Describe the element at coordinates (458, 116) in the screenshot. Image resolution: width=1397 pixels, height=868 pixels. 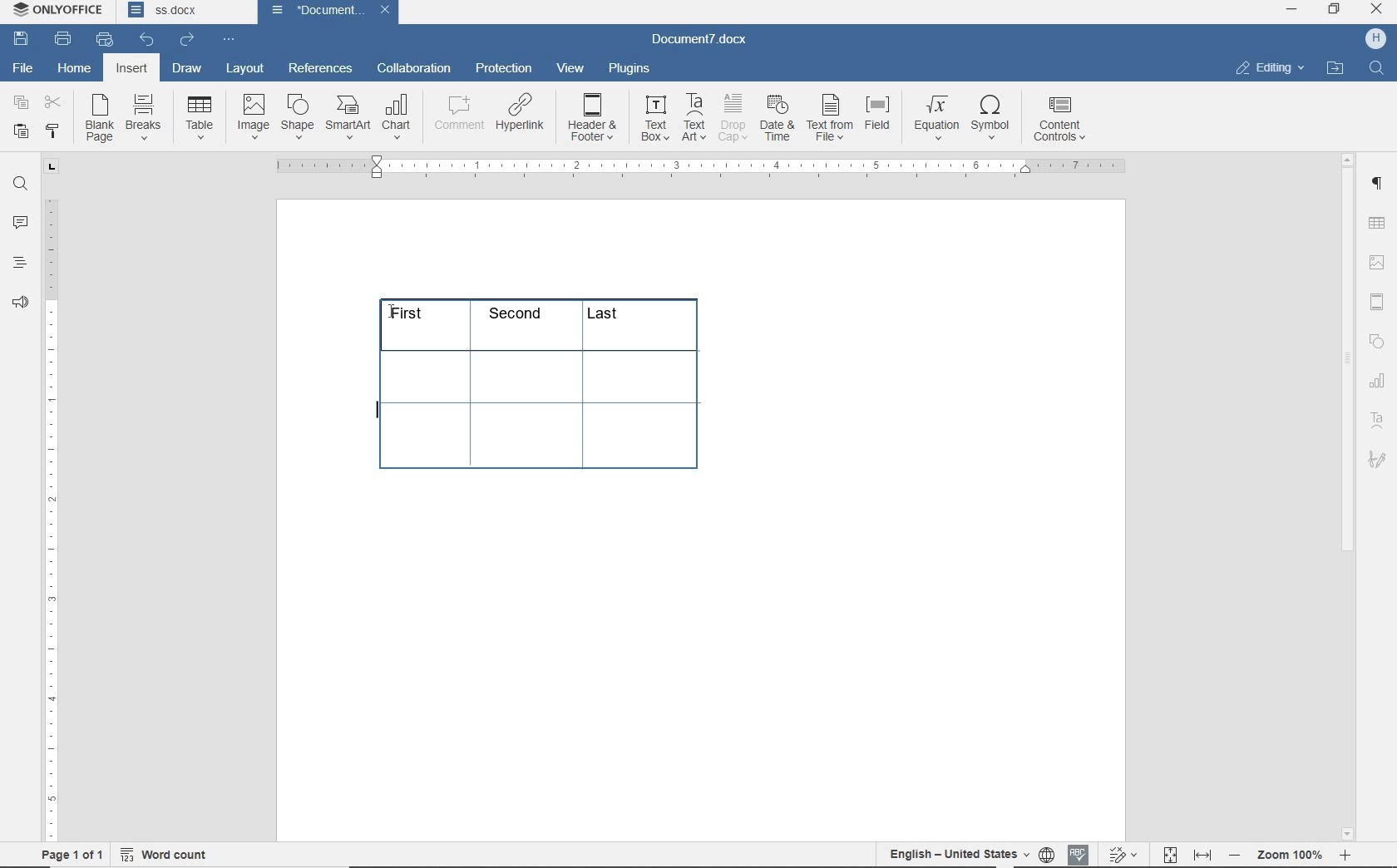
I see `comment` at that location.